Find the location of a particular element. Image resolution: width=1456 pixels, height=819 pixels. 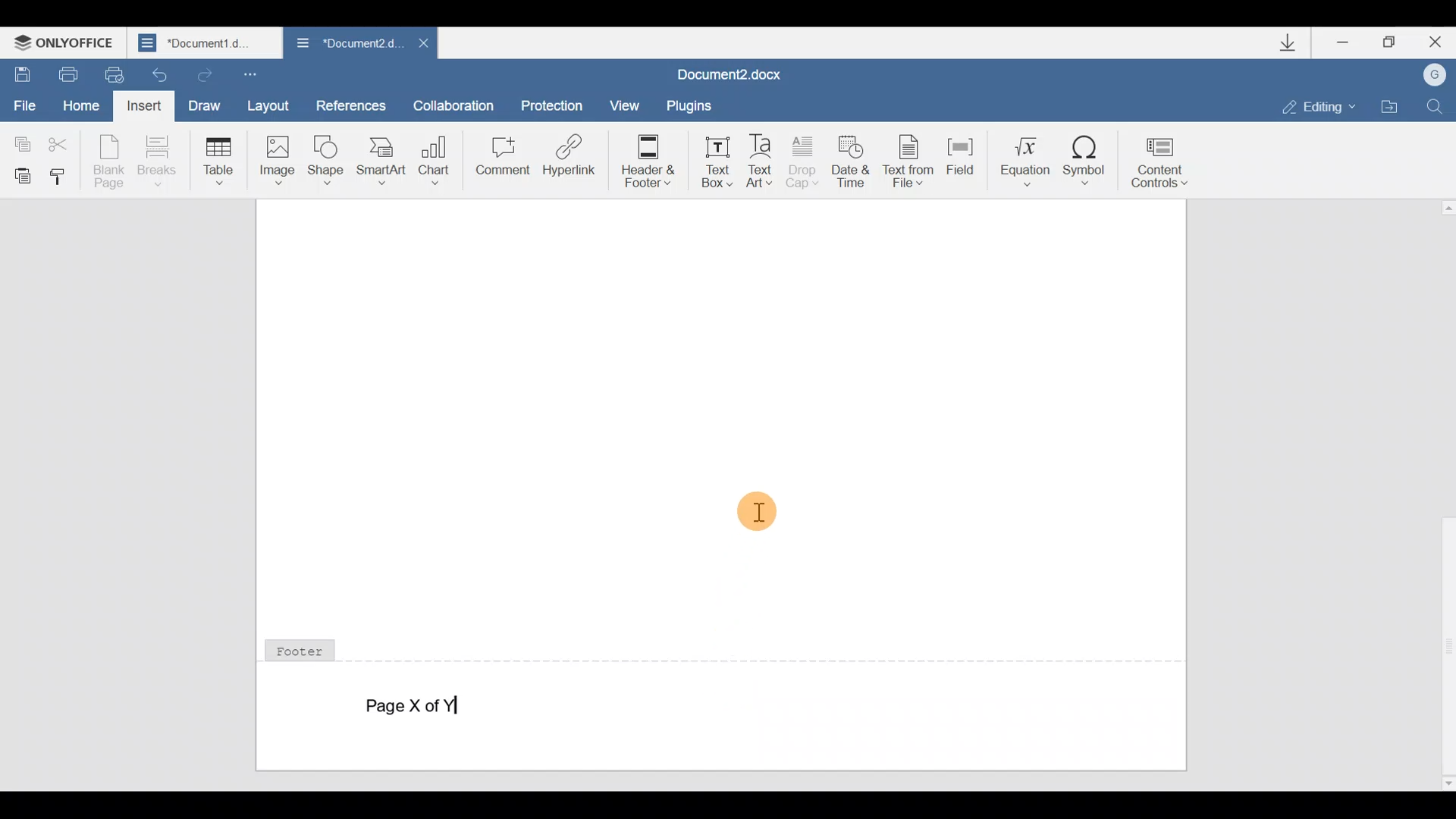

Text from file is located at coordinates (904, 158).